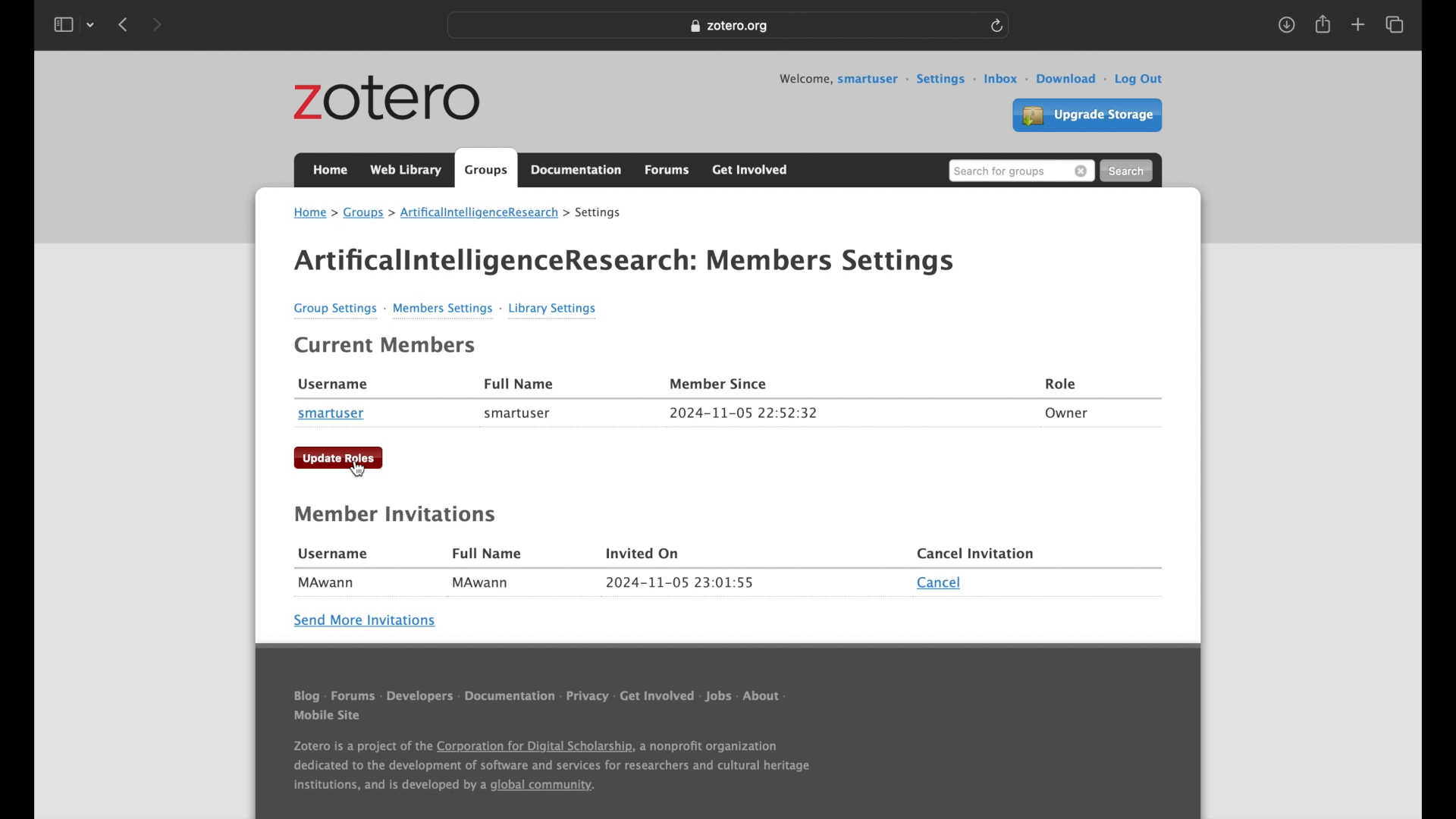 This screenshot has width=1456, height=819. I want to click on cancel, so click(941, 584).